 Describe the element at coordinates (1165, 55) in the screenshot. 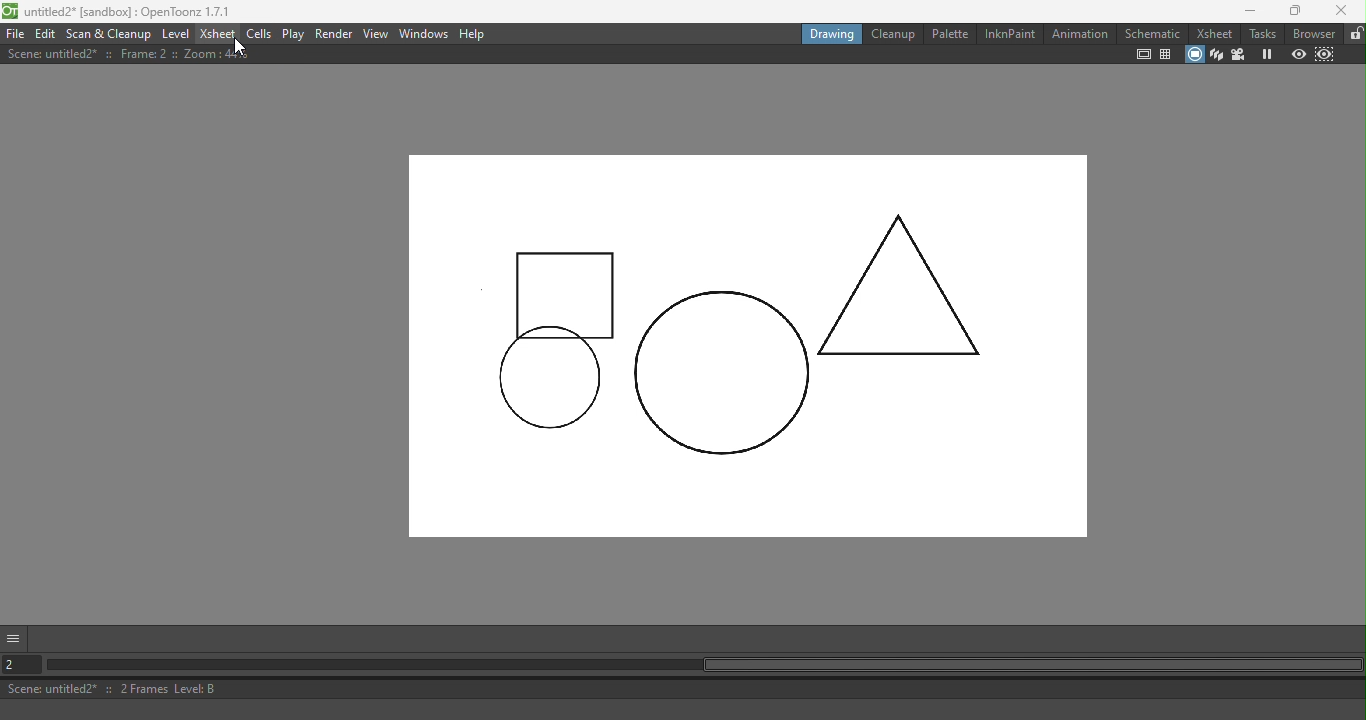

I see `Field guide` at that location.